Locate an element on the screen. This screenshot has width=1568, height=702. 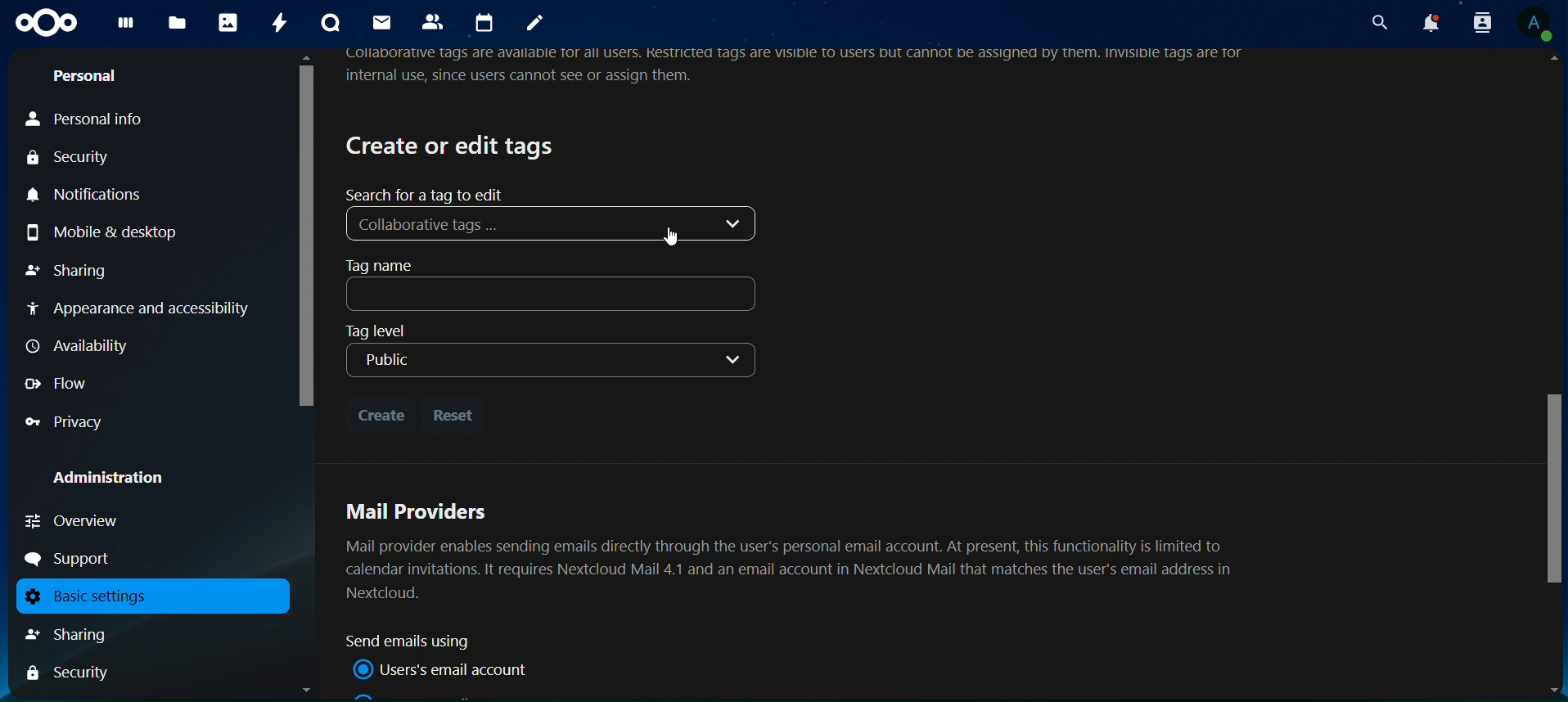
notes is located at coordinates (535, 25).